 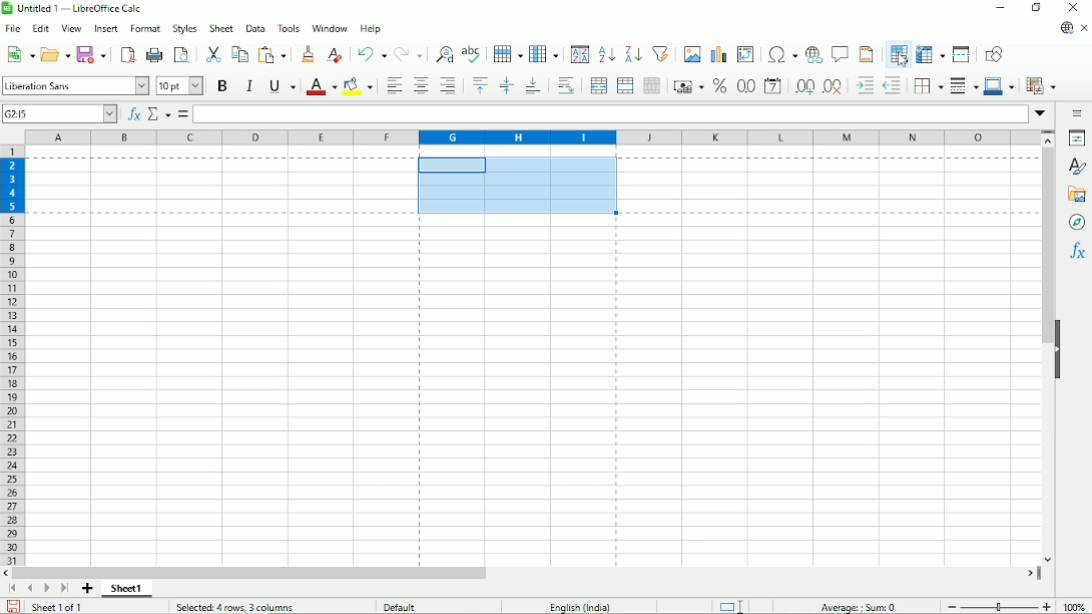 I want to click on Row, so click(x=505, y=53).